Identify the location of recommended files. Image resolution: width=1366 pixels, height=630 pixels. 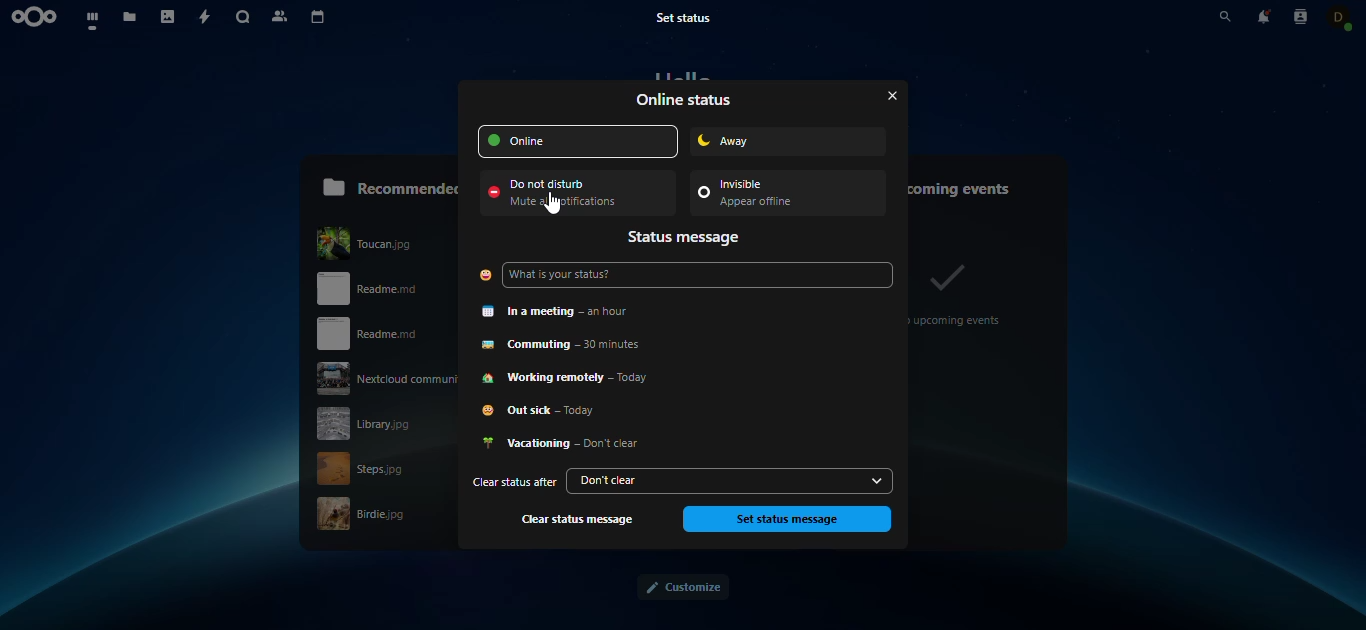
(389, 185).